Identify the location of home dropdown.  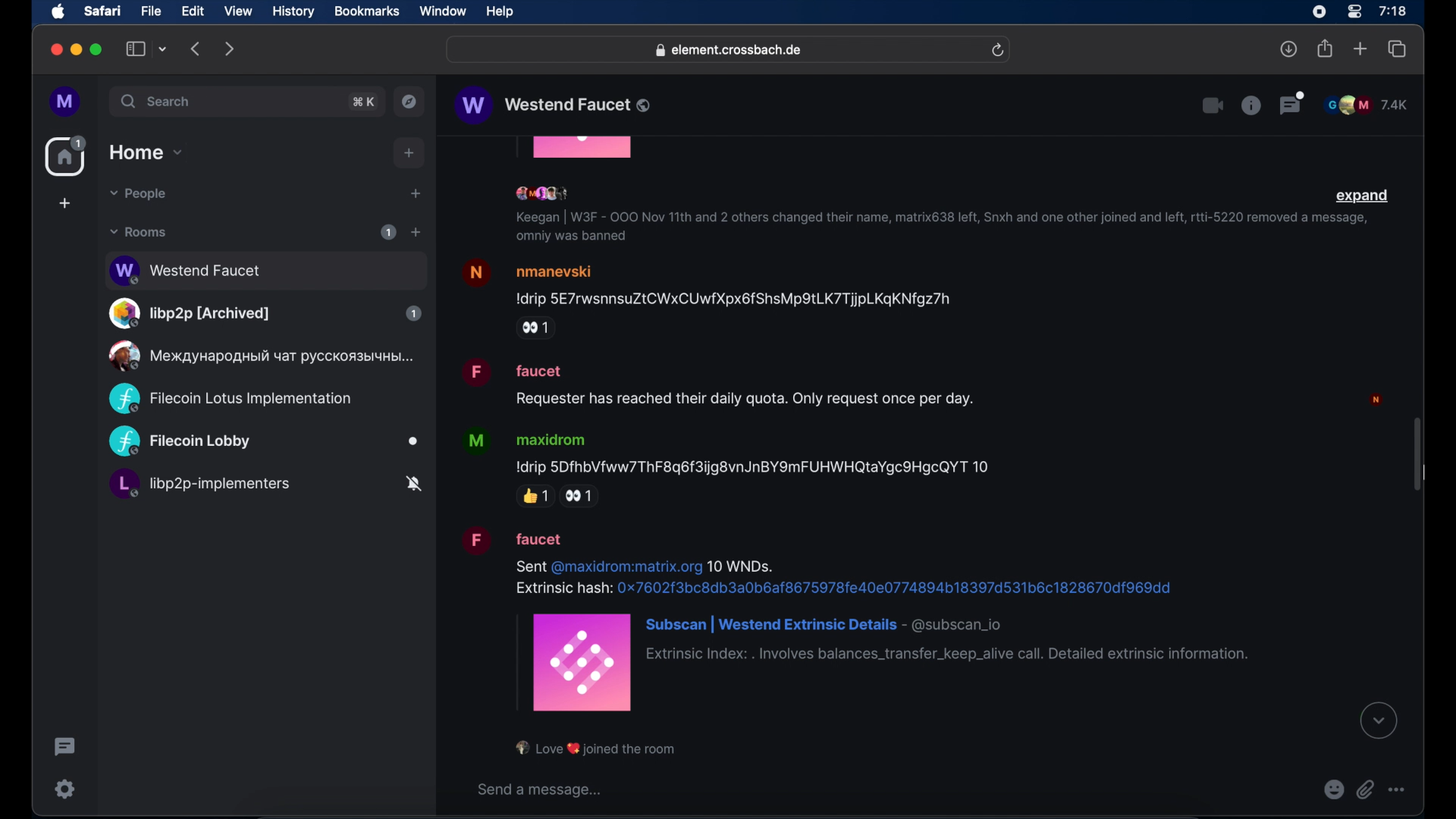
(146, 152).